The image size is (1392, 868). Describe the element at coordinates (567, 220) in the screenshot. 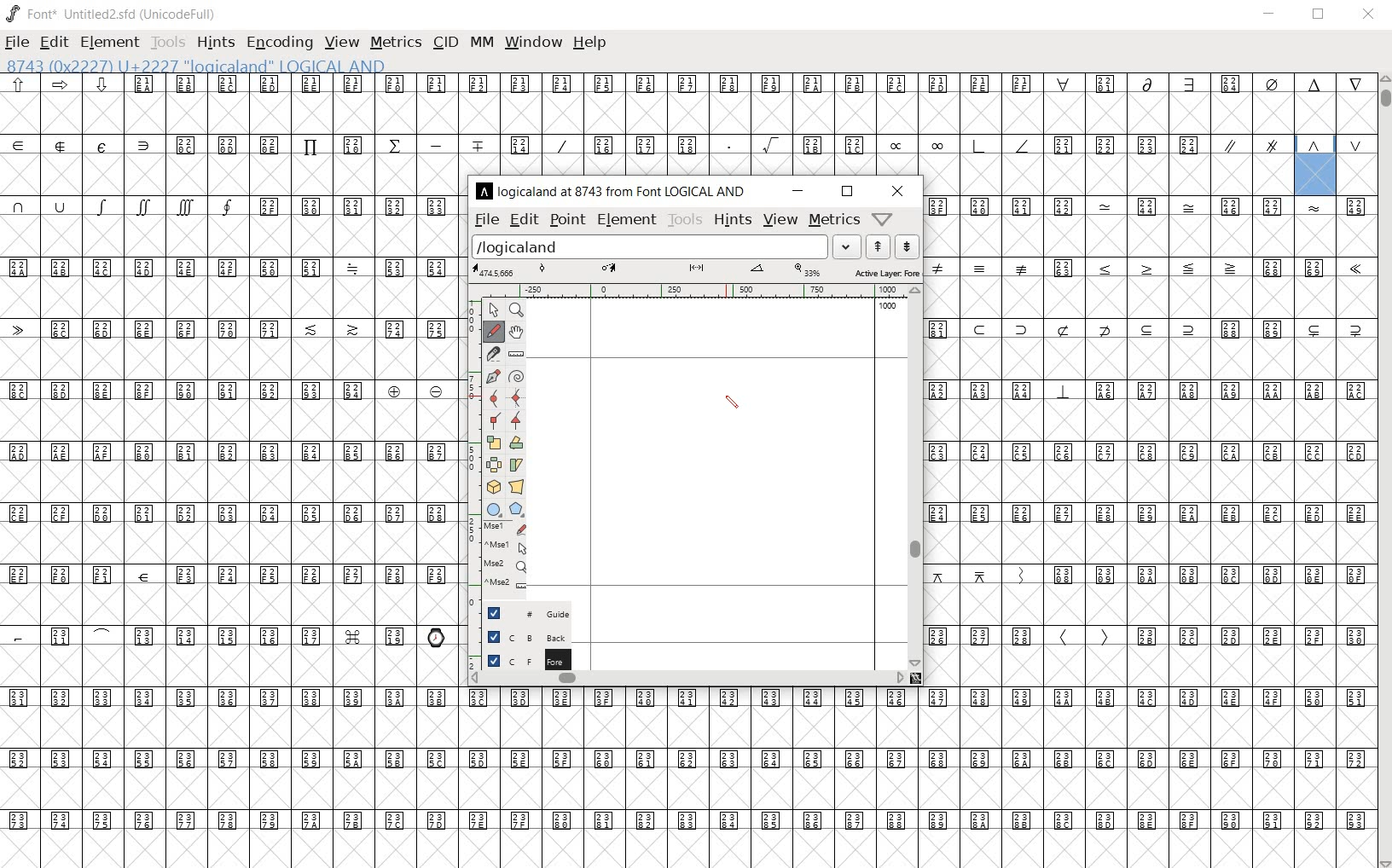

I see `point` at that location.